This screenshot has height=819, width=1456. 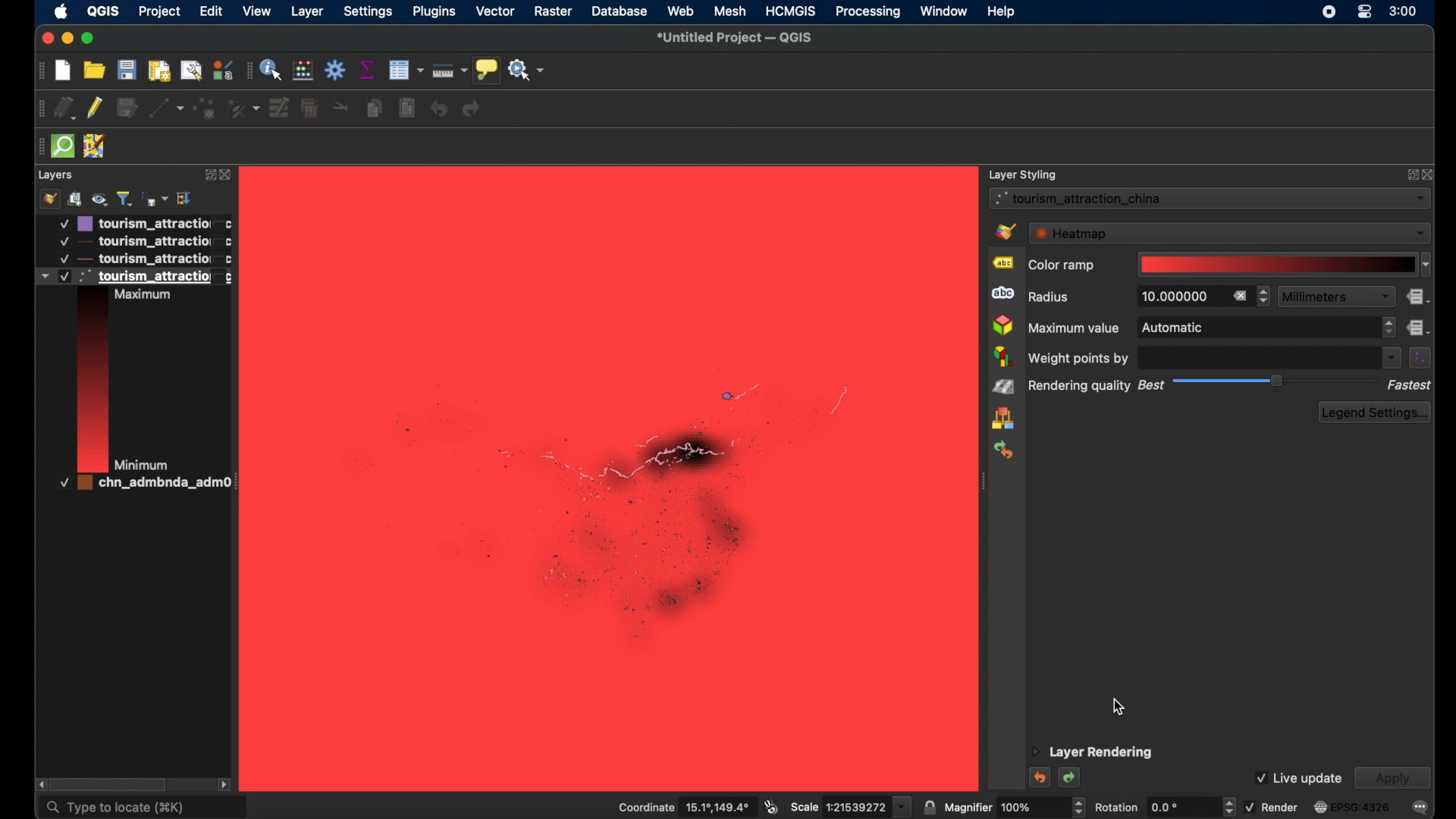 What do you see at coordinates (156, 199) in the screenshot?
I see `filter legend by expression` at bounding box center [156, 199].